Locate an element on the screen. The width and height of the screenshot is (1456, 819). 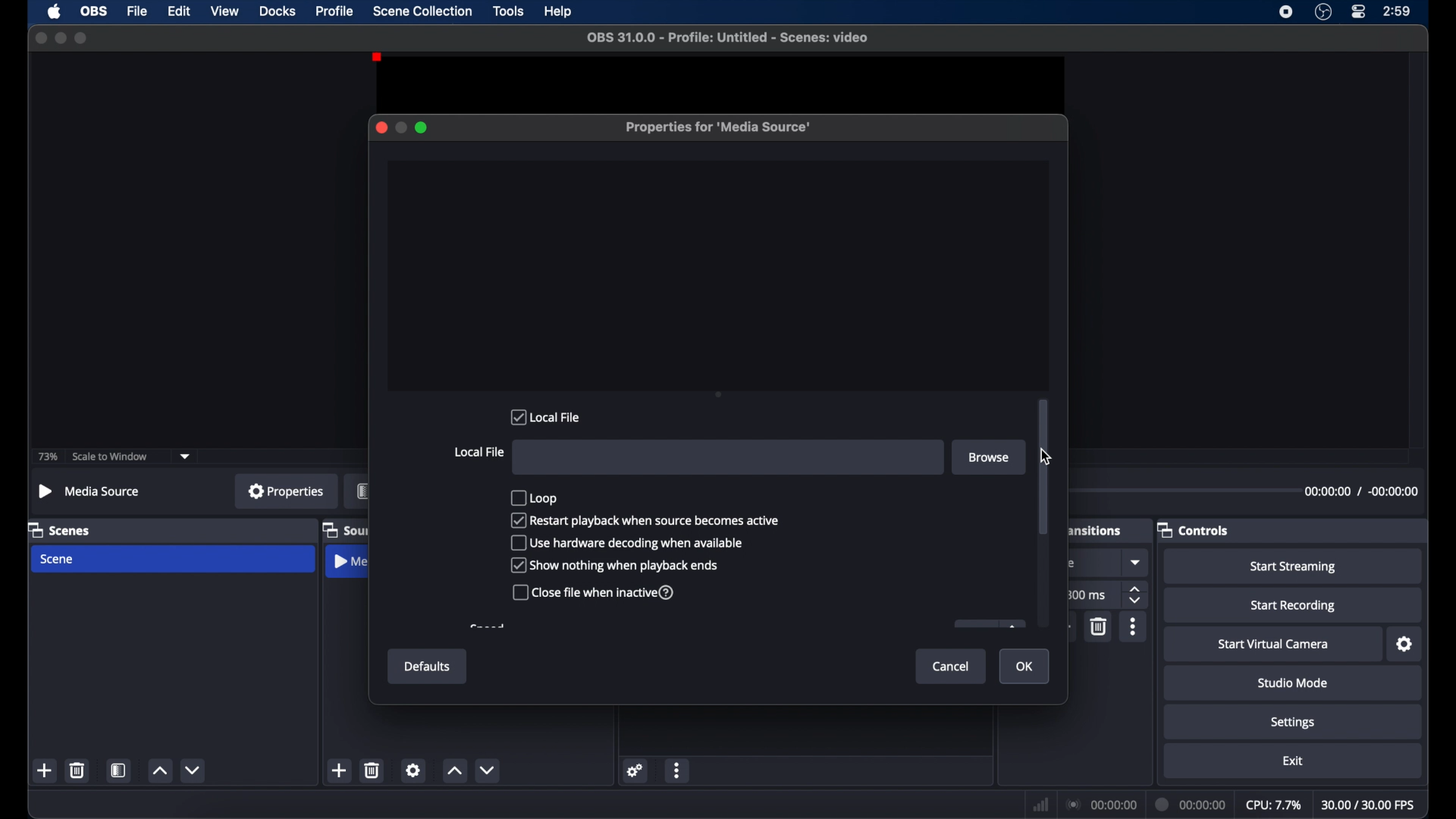
local file is located at coordinates (479, 451).